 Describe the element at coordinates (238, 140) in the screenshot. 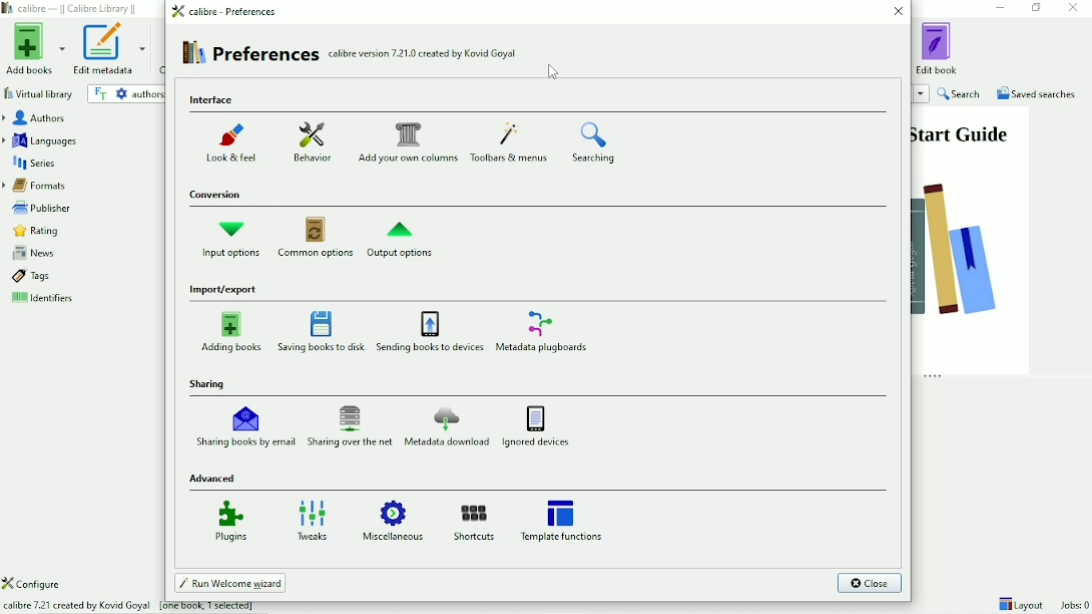

I see `Look & feel` at that location.